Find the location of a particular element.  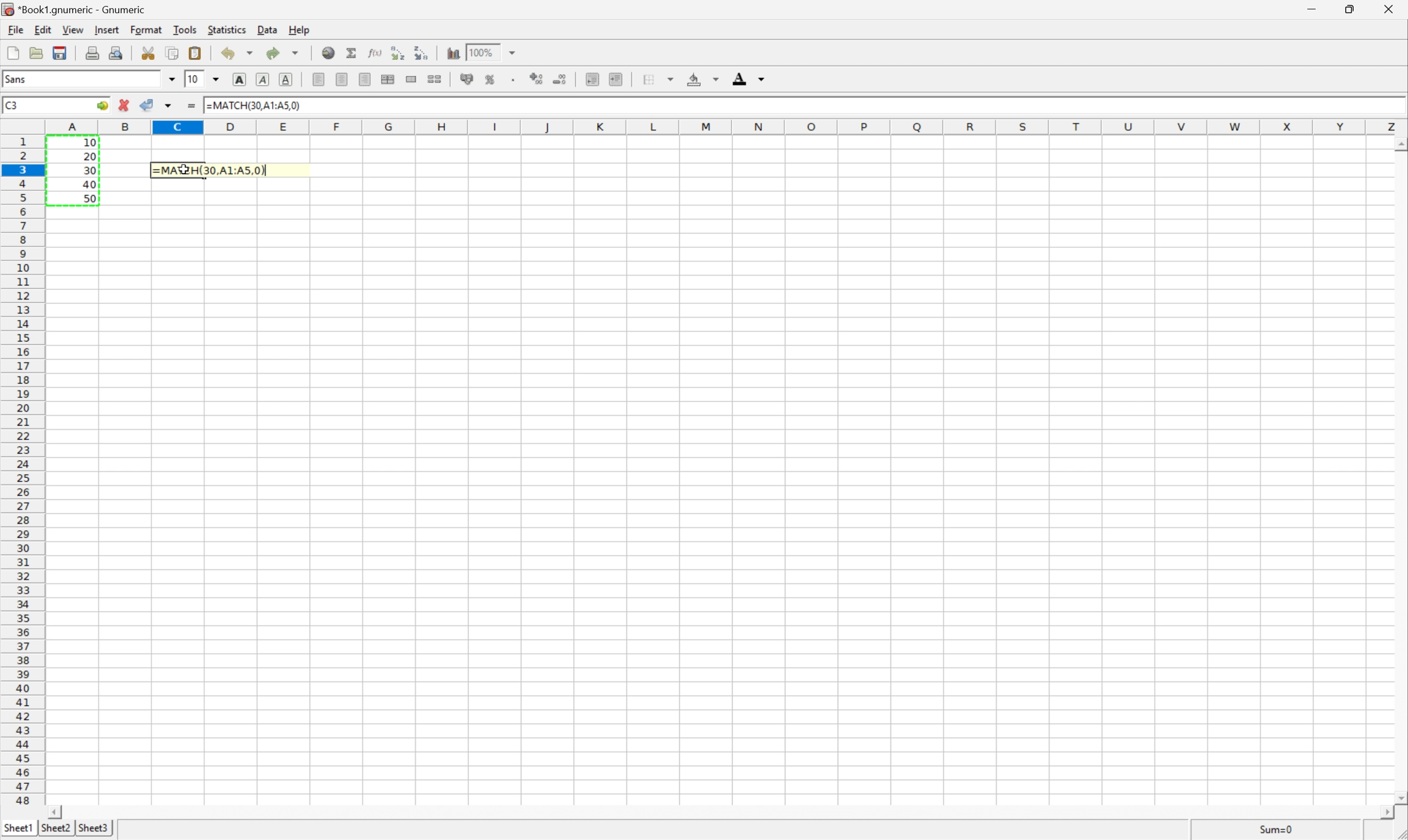

Sheet3 is located at coordinates (96, 827).